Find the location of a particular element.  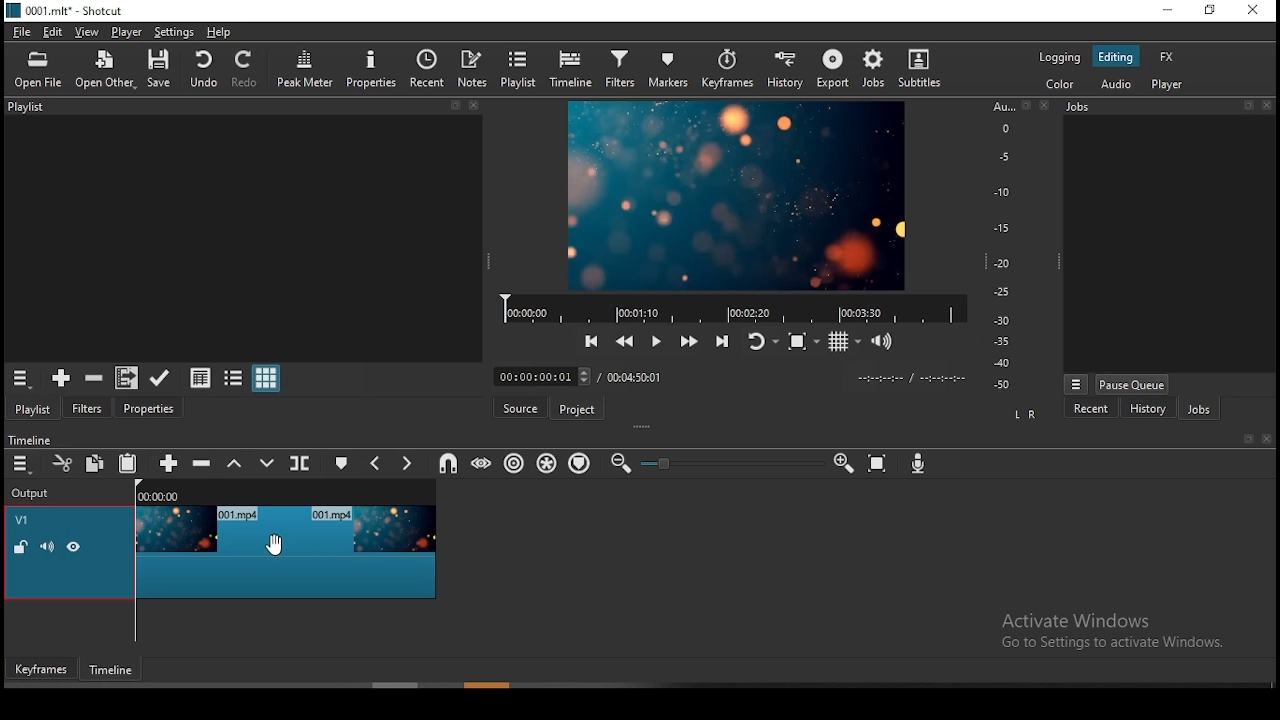

keyframes is located at coordinates (41, 669).